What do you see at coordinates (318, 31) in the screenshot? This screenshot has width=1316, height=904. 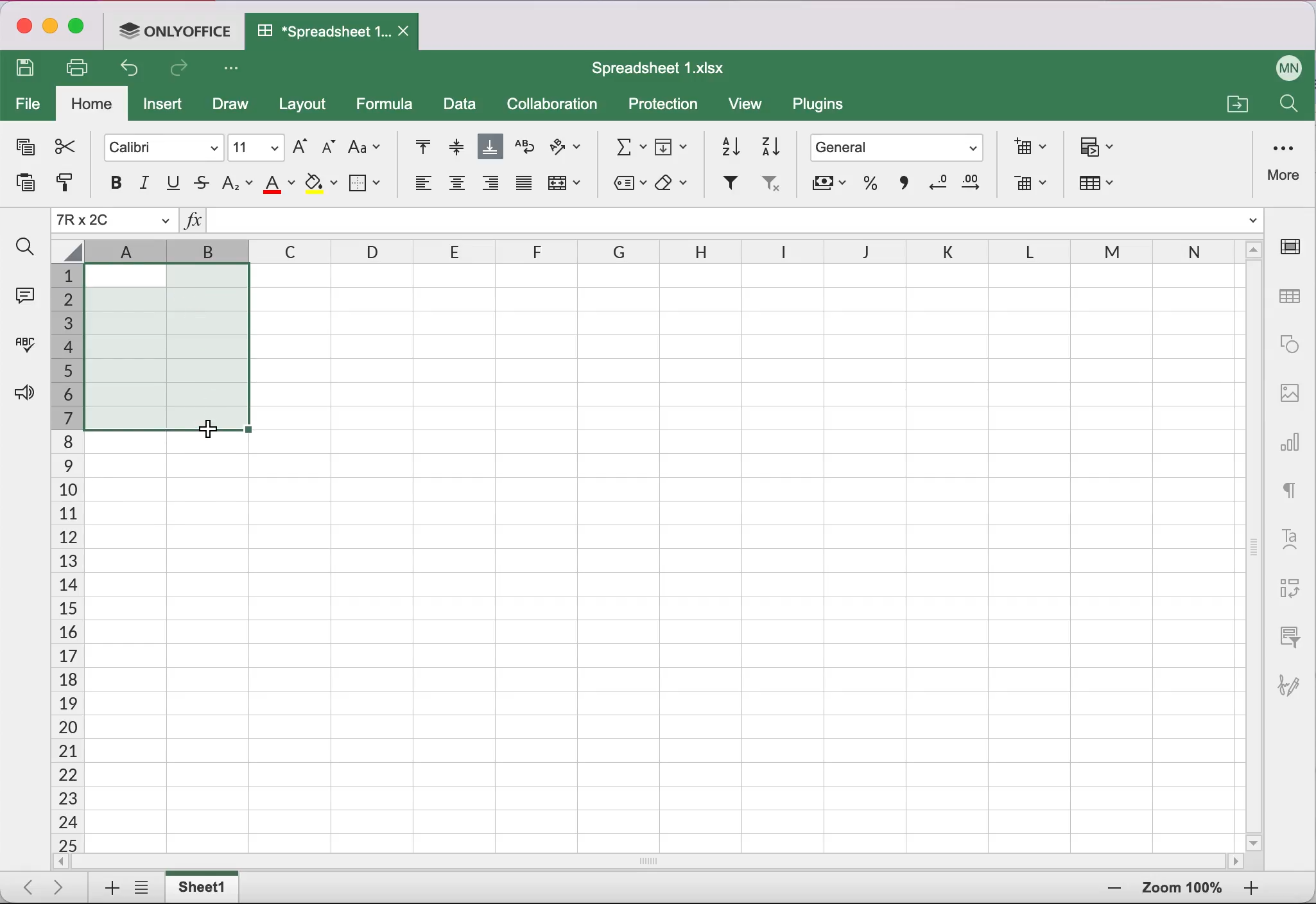 I see `*Spreadsheet 1...` at bounding box center [318, 31].